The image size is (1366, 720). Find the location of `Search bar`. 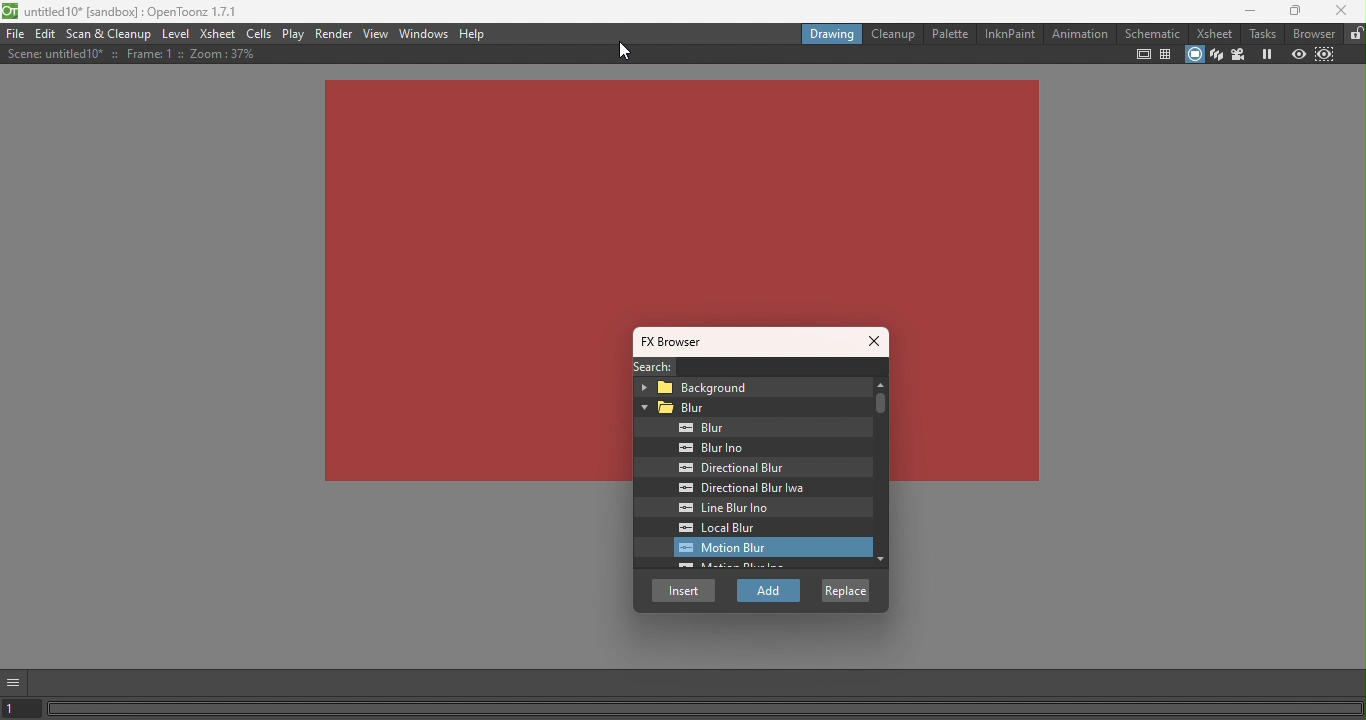

Search bar is located at coordinates (785, 367).